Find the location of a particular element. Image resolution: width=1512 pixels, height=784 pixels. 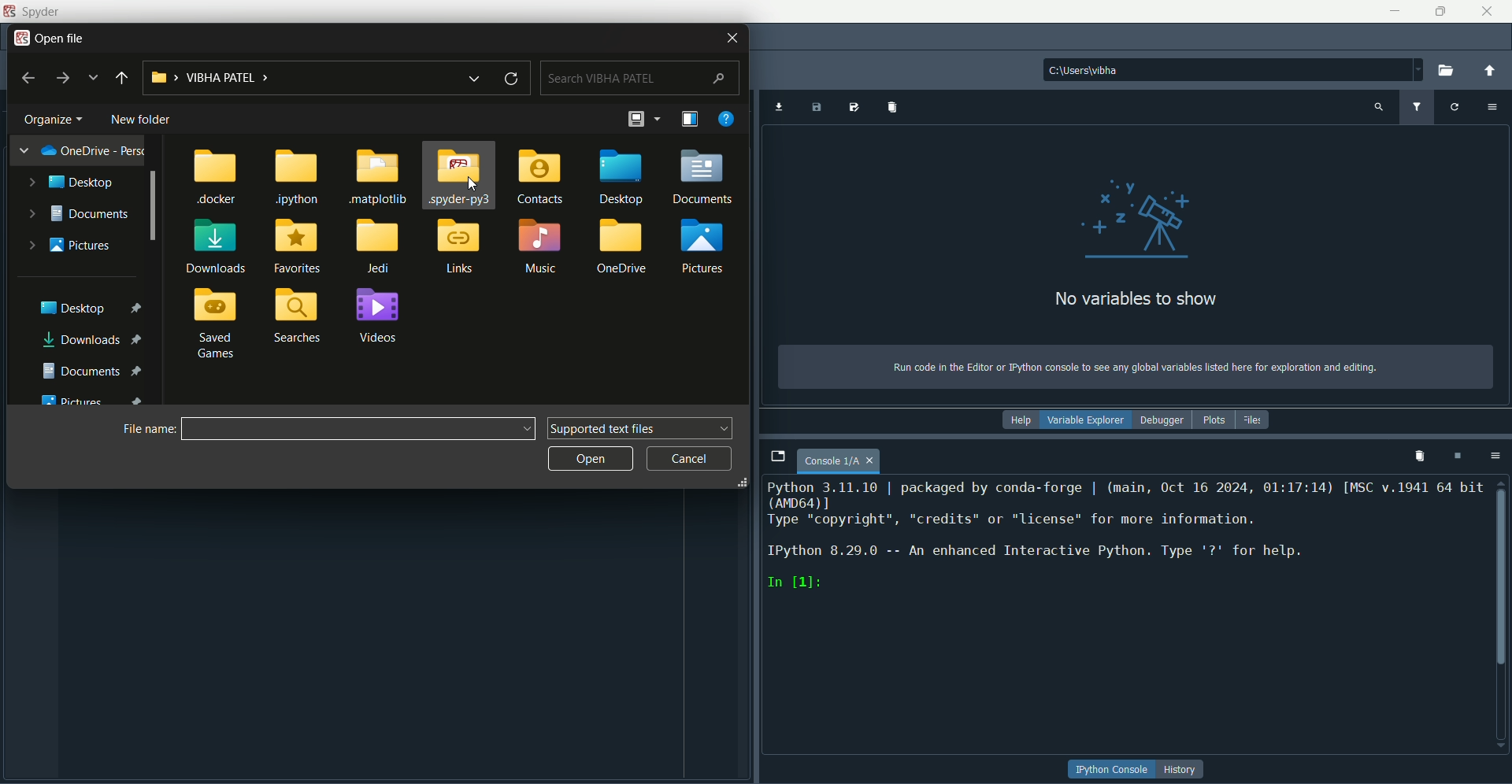

button is located at coordinates (1113, 768).